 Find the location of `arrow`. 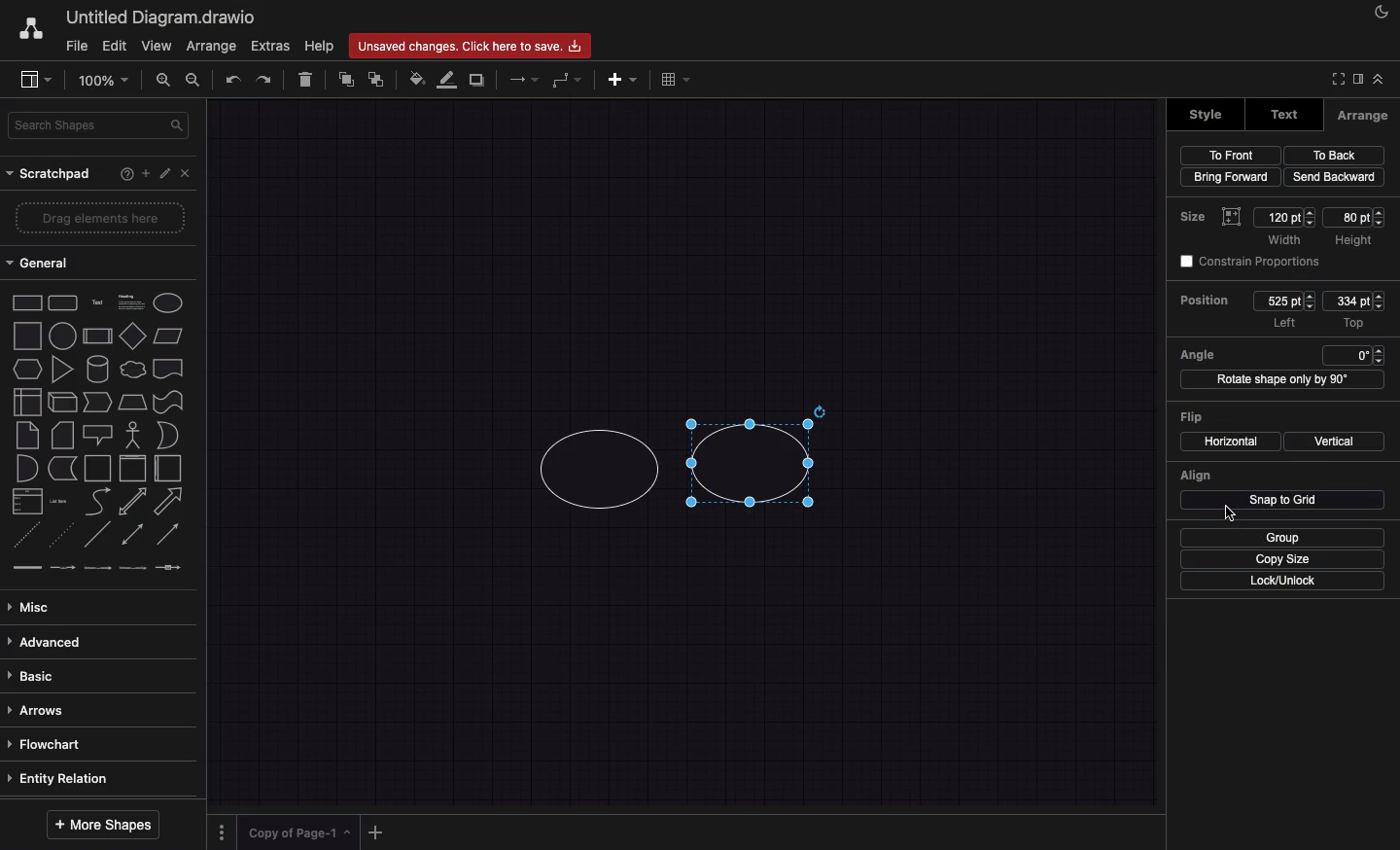

arrow is located at coordinates (170, 502).